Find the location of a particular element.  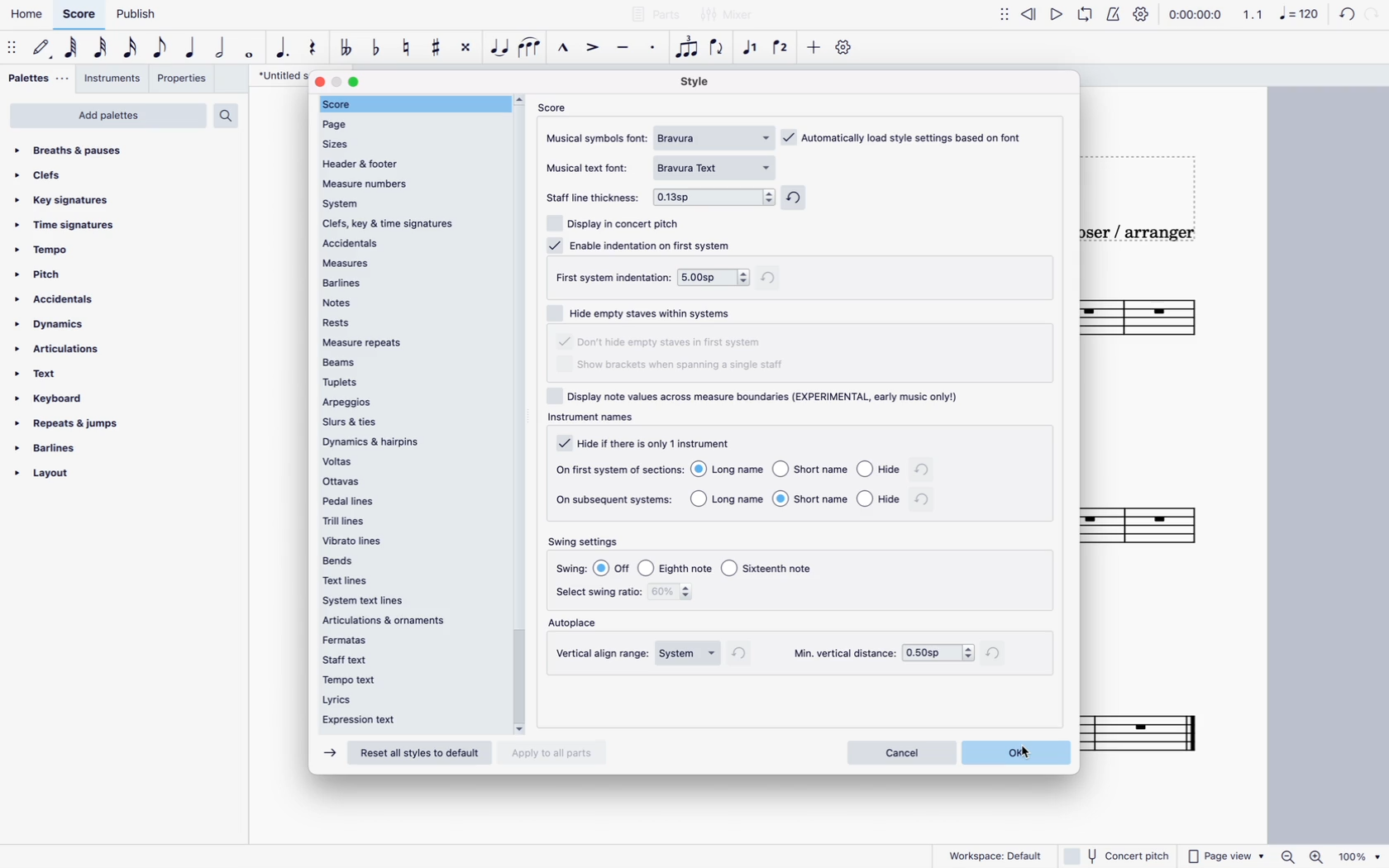

refresh is located at coordinates (743, 653).